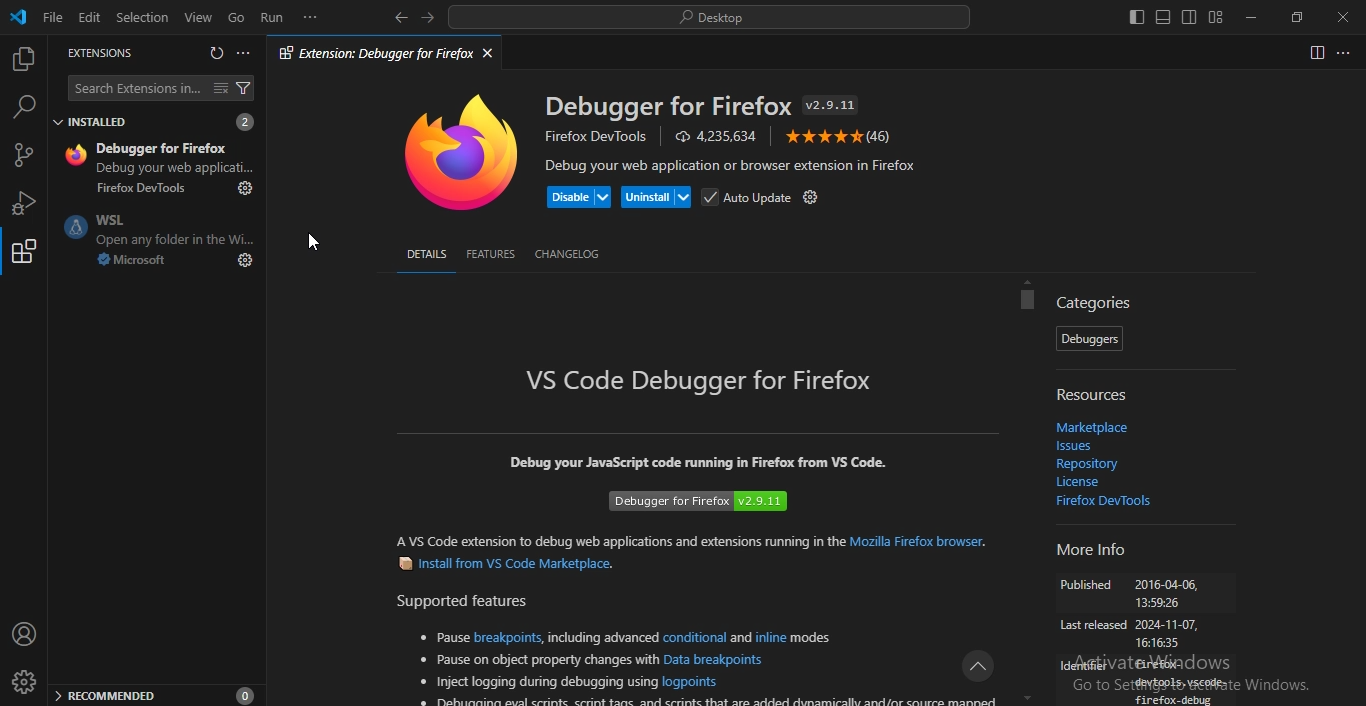 Image resolution: width=1366 pixels, height=706 pixels. What do you see at coordinates (24, 635) in the screenshot?
I see `account` at bounding box center [24, 635].